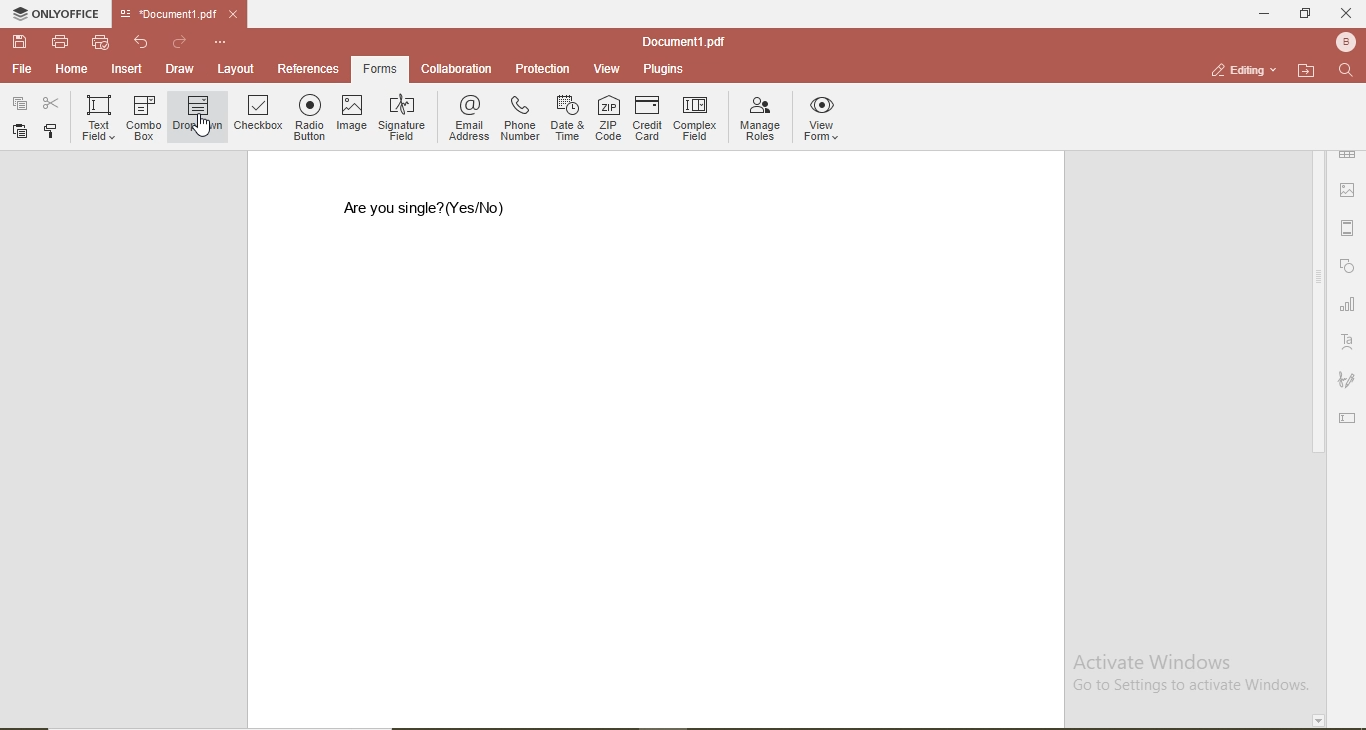 This screenshot has height=730, width=1366. I want to click on credit card, so click(649, 118).